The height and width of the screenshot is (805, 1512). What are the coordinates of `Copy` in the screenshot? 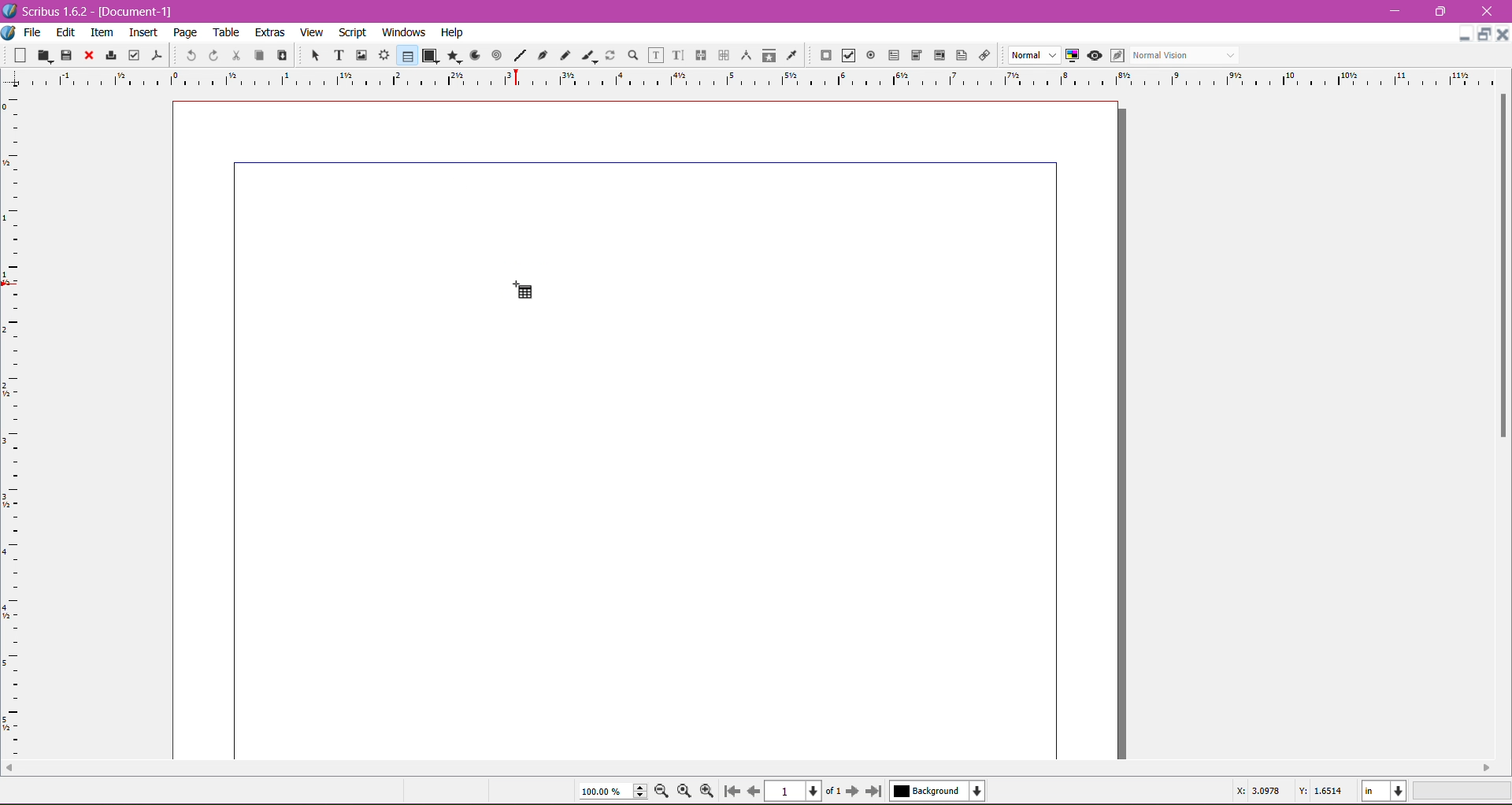 It's located at (257, 54).